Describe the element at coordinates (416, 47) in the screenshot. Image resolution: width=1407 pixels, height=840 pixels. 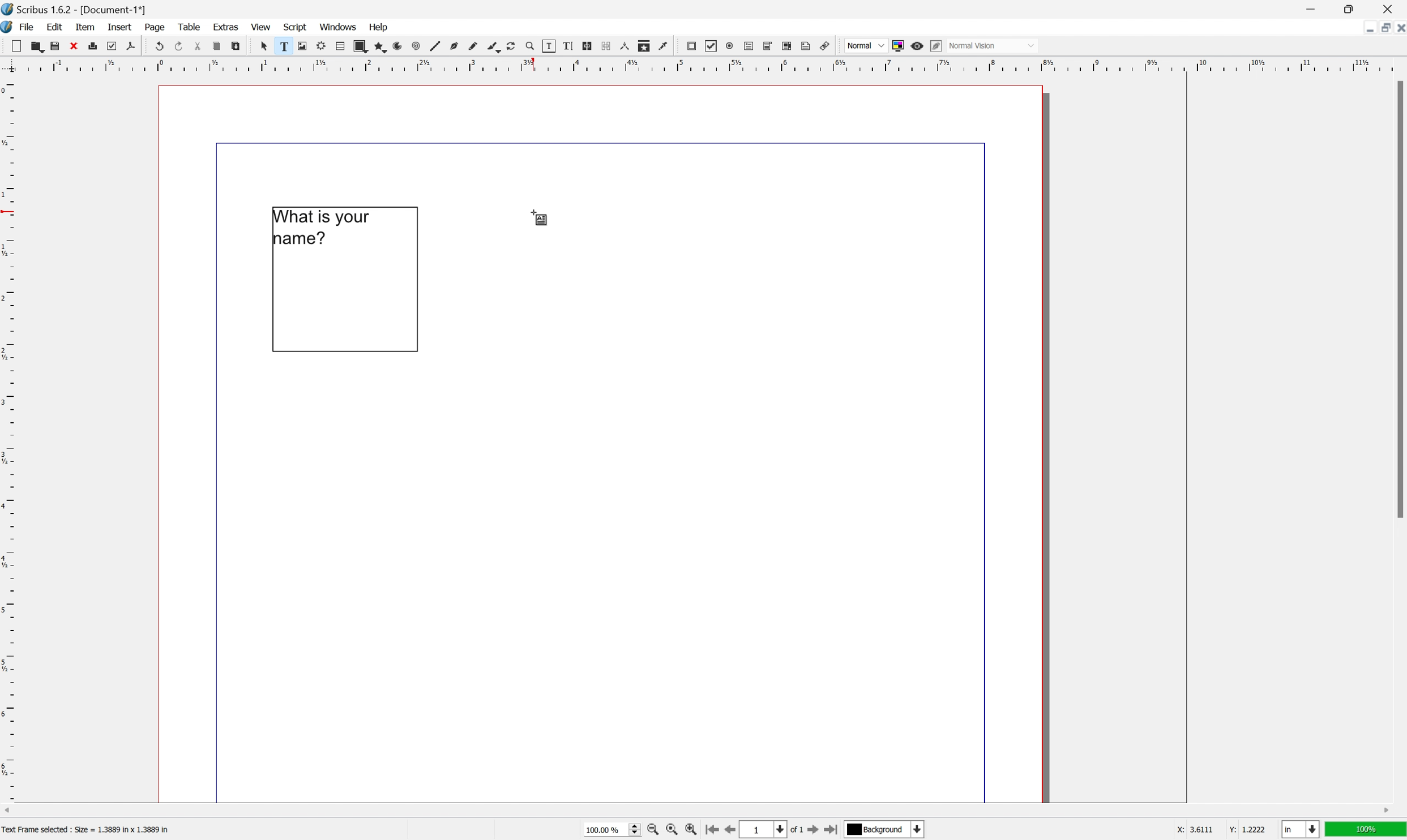
I see `spiral` at that location.